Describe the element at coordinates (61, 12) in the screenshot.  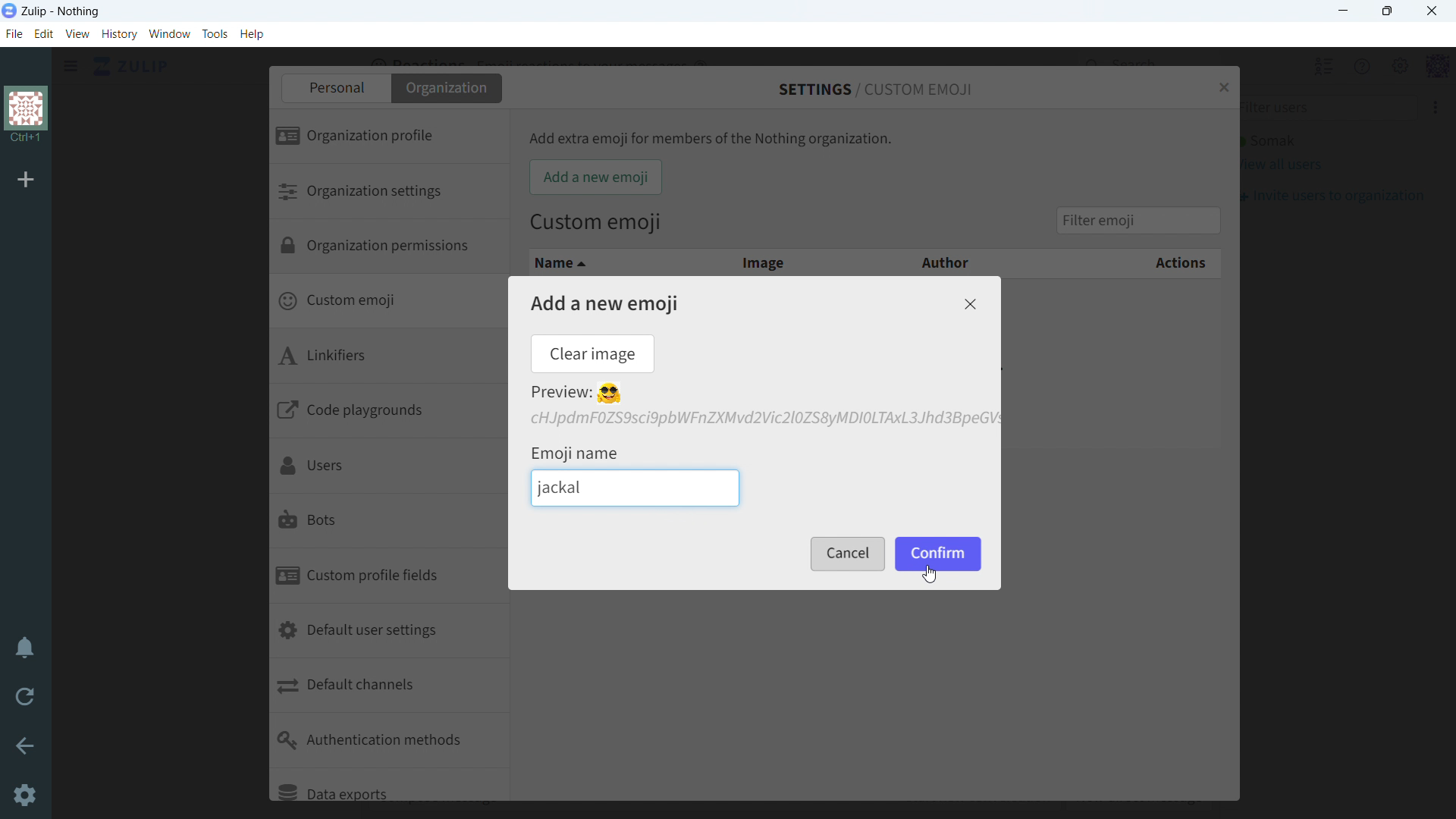
I see `title` at that location.